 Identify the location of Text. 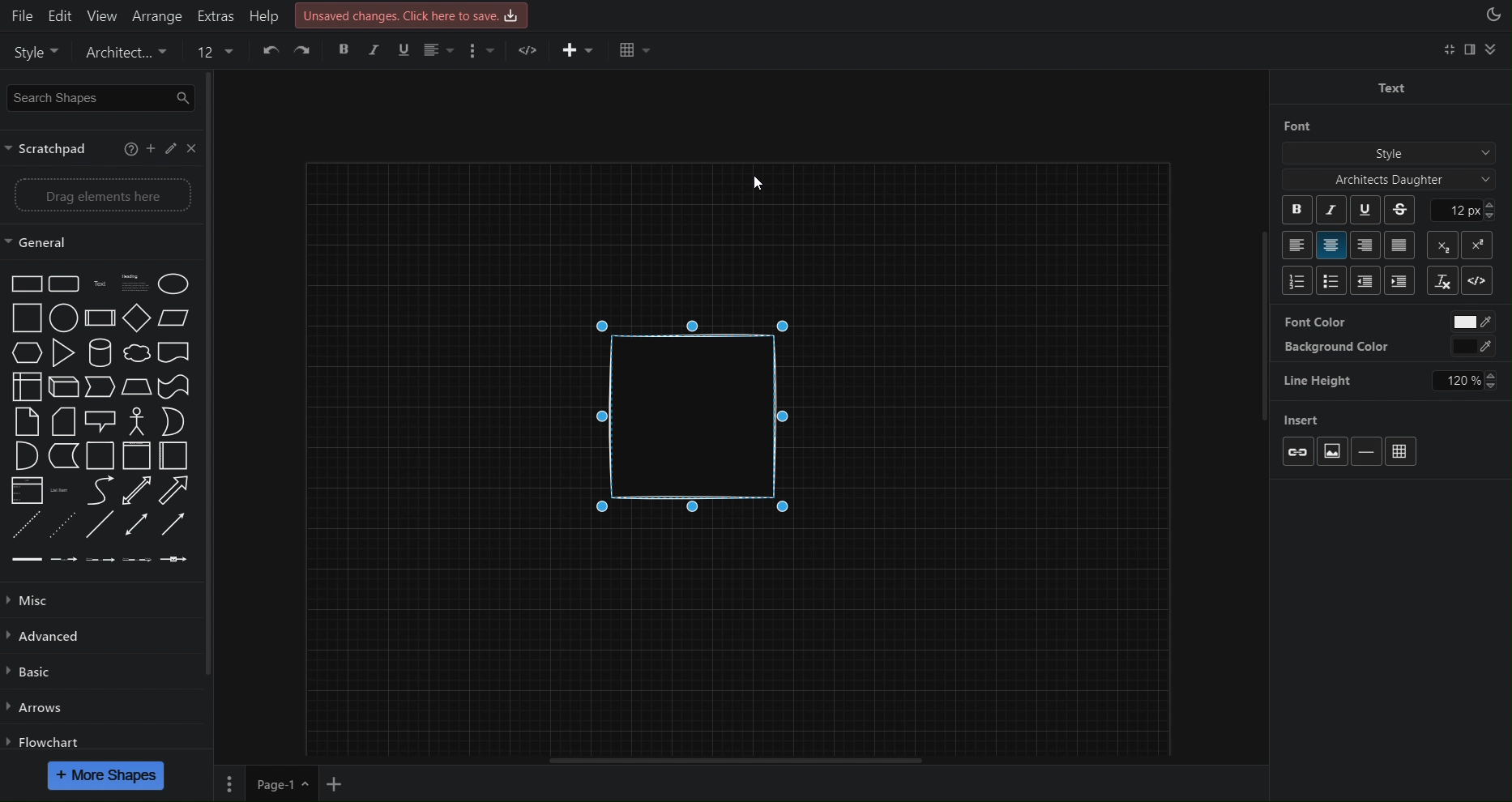
(1390, 86).